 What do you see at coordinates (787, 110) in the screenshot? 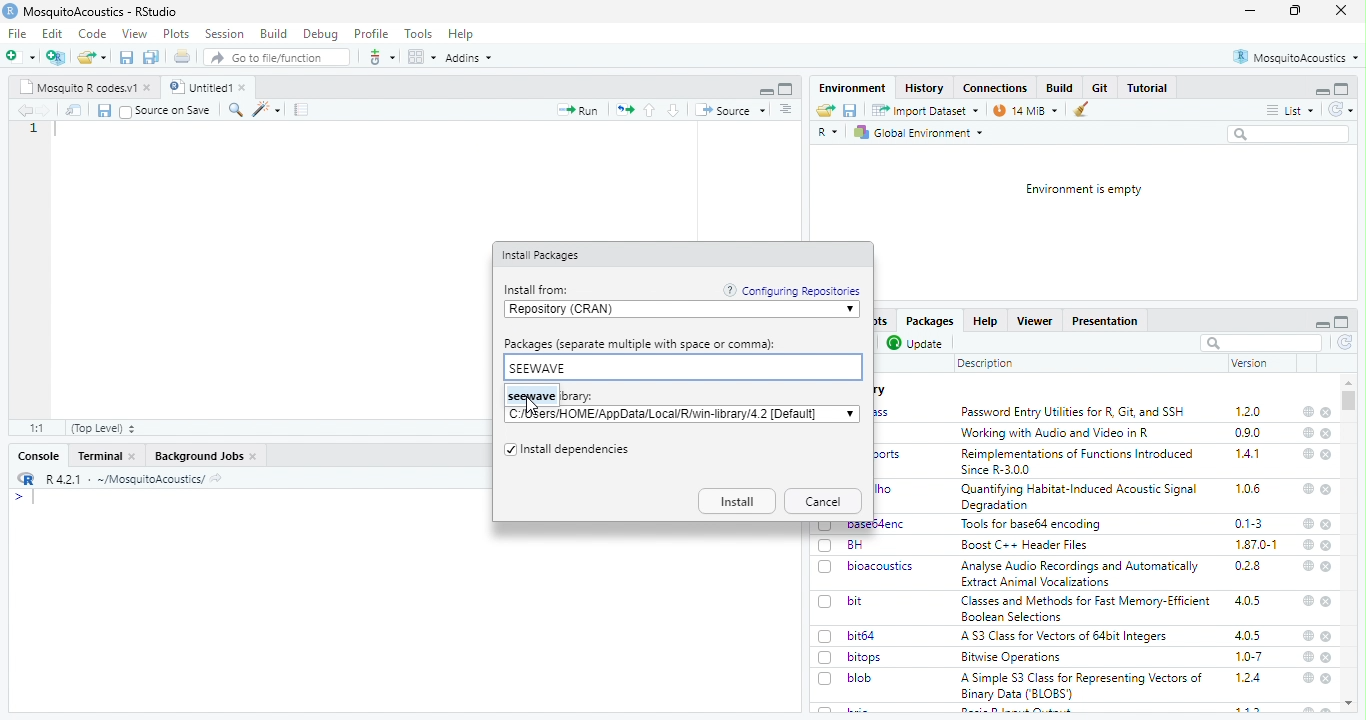
I see `more` at bounding box center [787, 110].